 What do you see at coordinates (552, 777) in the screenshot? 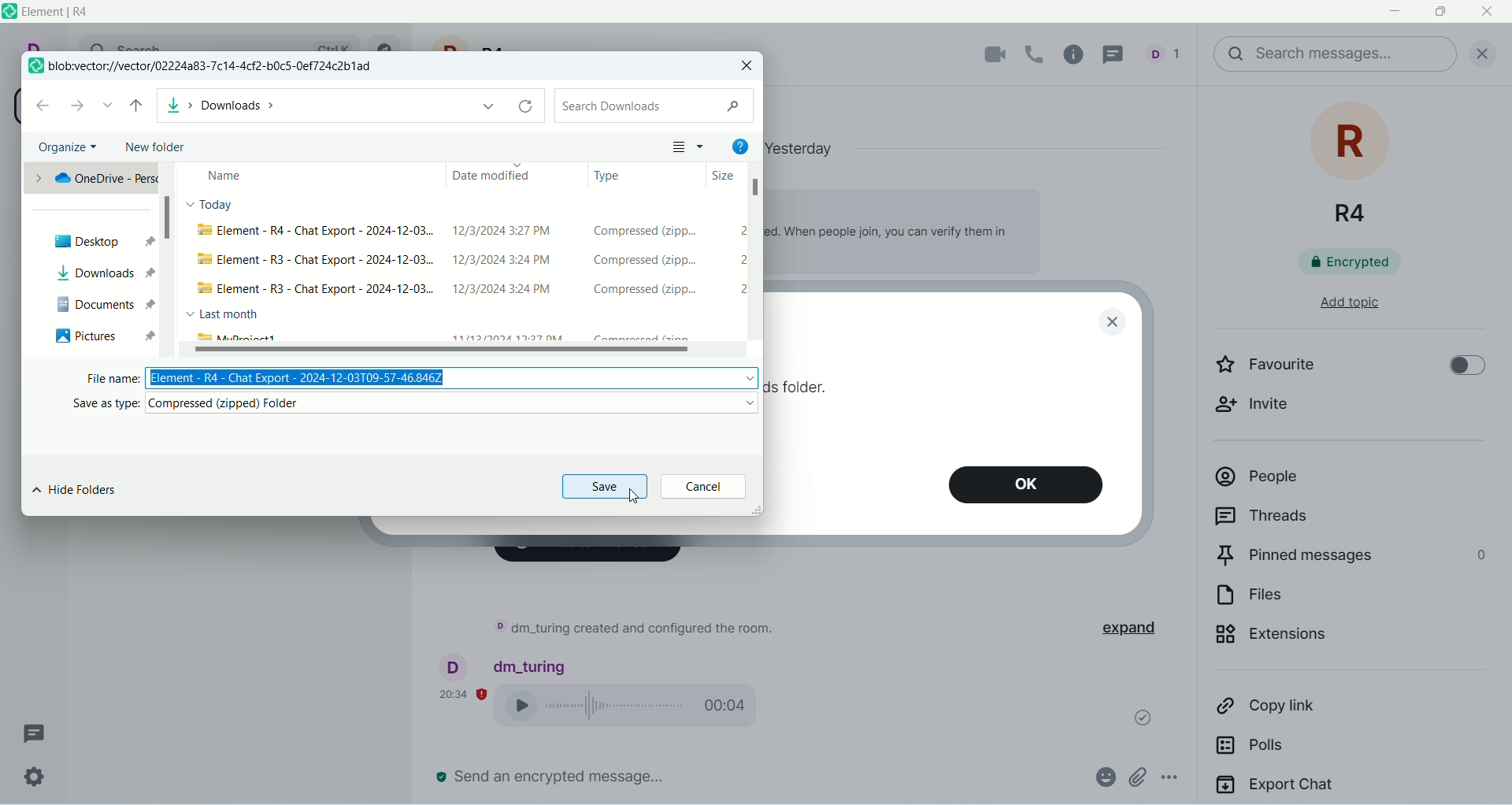
I see `send message` at bounding box center [552, 777].